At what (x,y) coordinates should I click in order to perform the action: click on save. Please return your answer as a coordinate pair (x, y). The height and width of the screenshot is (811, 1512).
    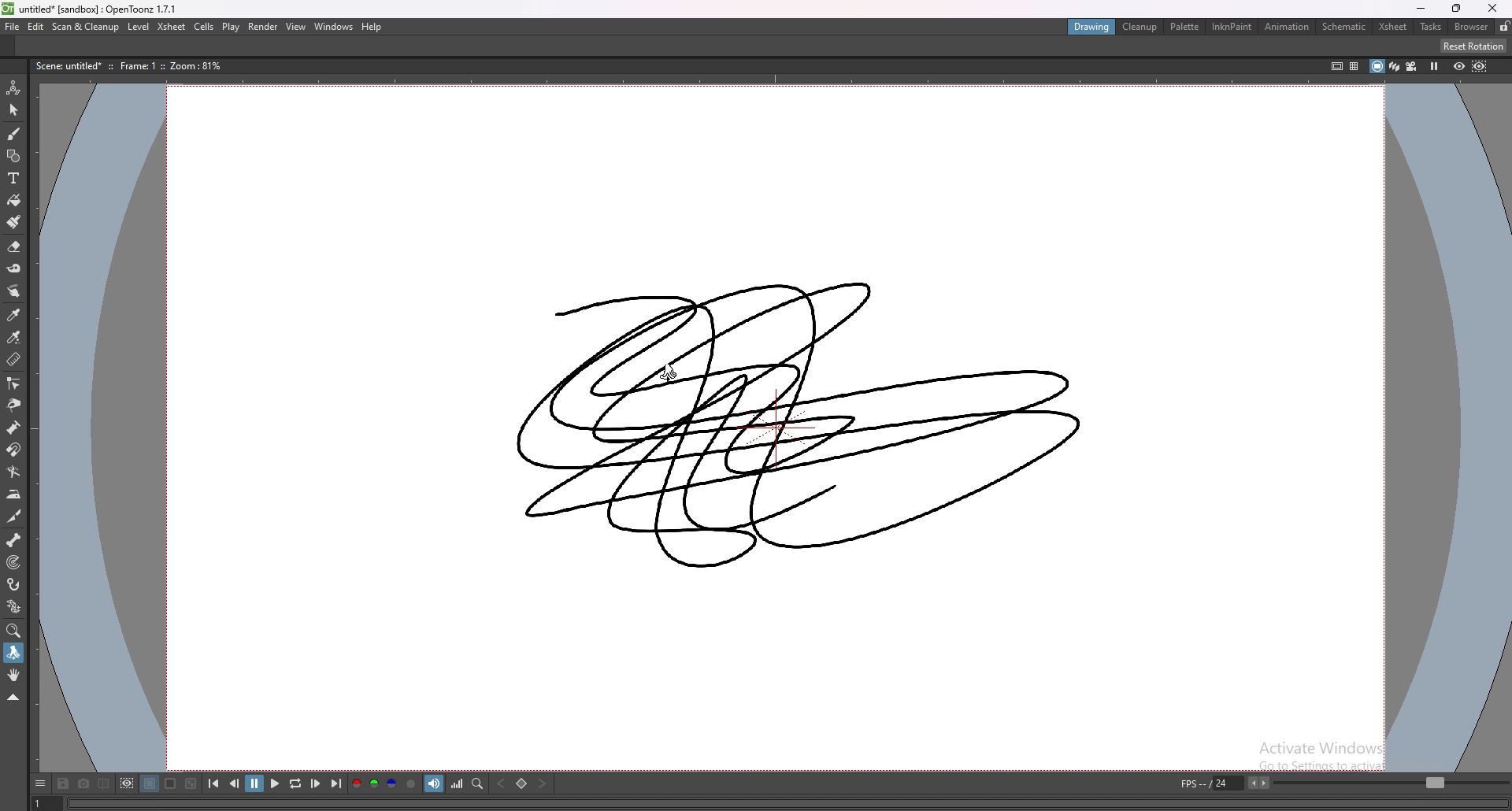
    Looking at the image, I should click on (62, 783).